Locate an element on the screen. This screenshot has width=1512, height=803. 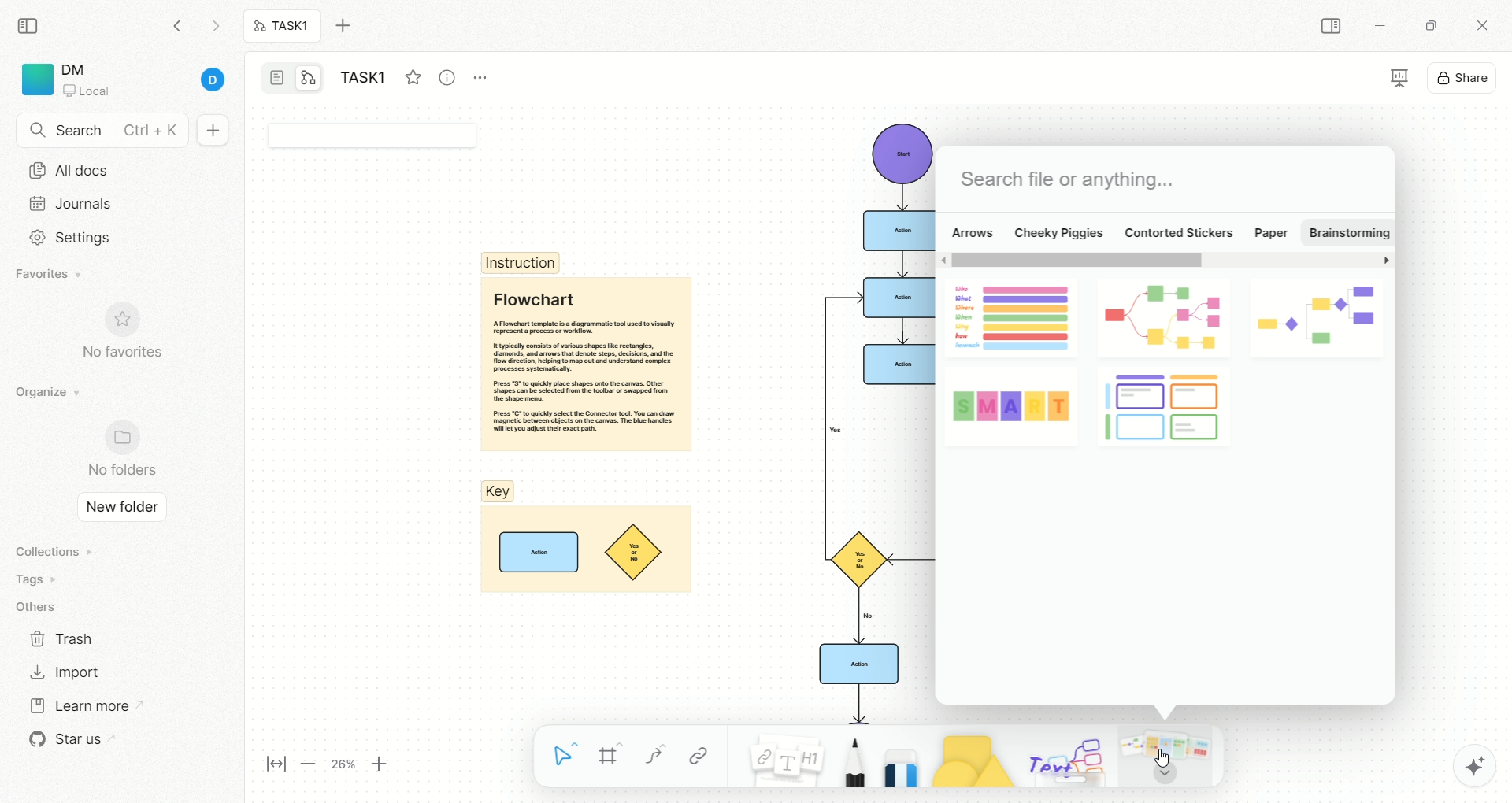
favorites is located at coordinates (51, 276).